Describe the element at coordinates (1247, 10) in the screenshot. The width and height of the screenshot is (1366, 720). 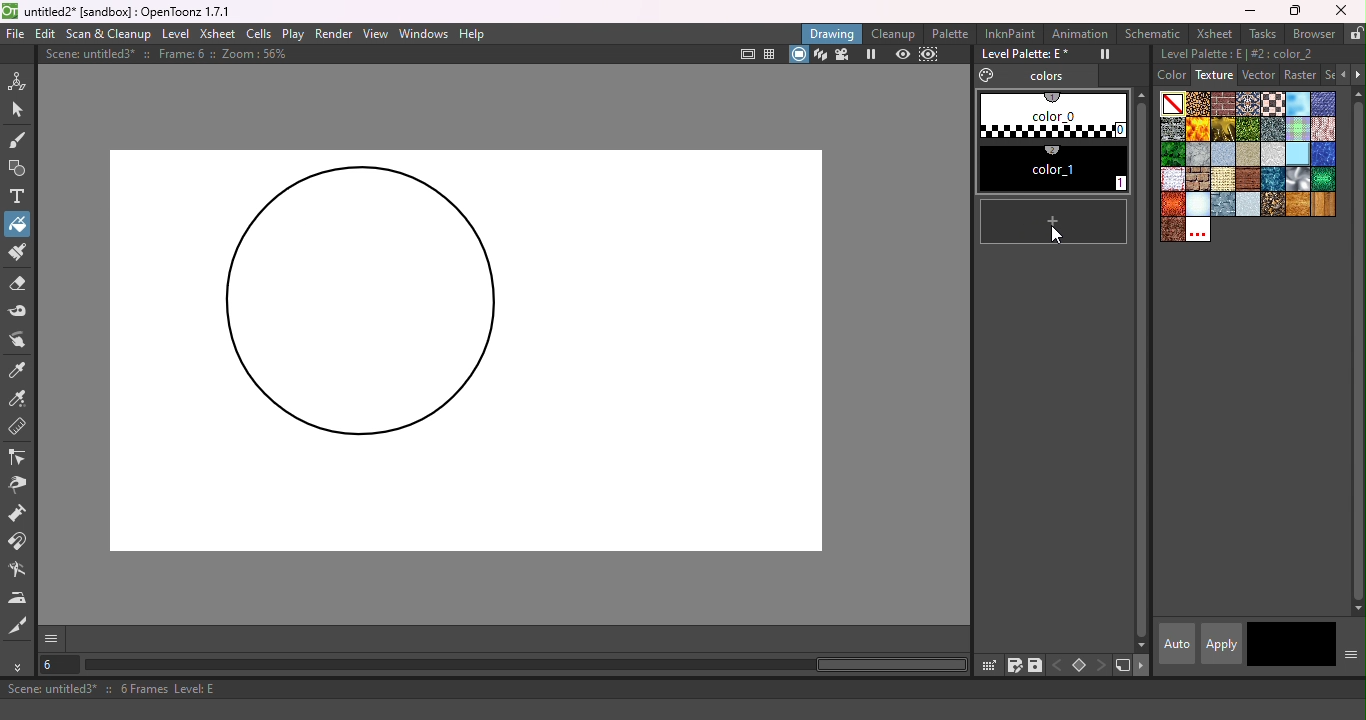
I see `Minimize ` at that location.